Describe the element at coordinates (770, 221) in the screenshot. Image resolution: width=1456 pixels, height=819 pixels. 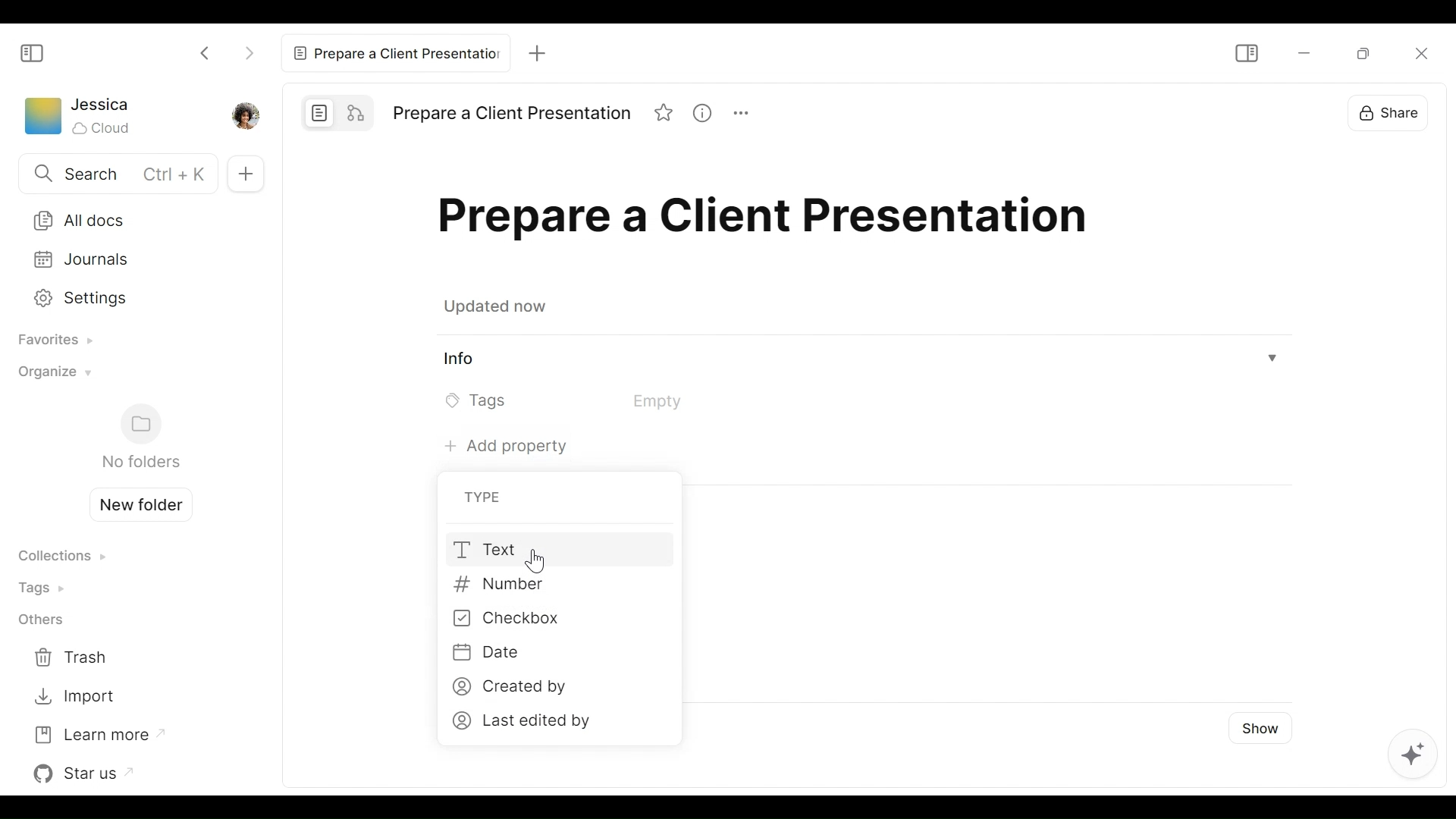
I see `Title` at that location.